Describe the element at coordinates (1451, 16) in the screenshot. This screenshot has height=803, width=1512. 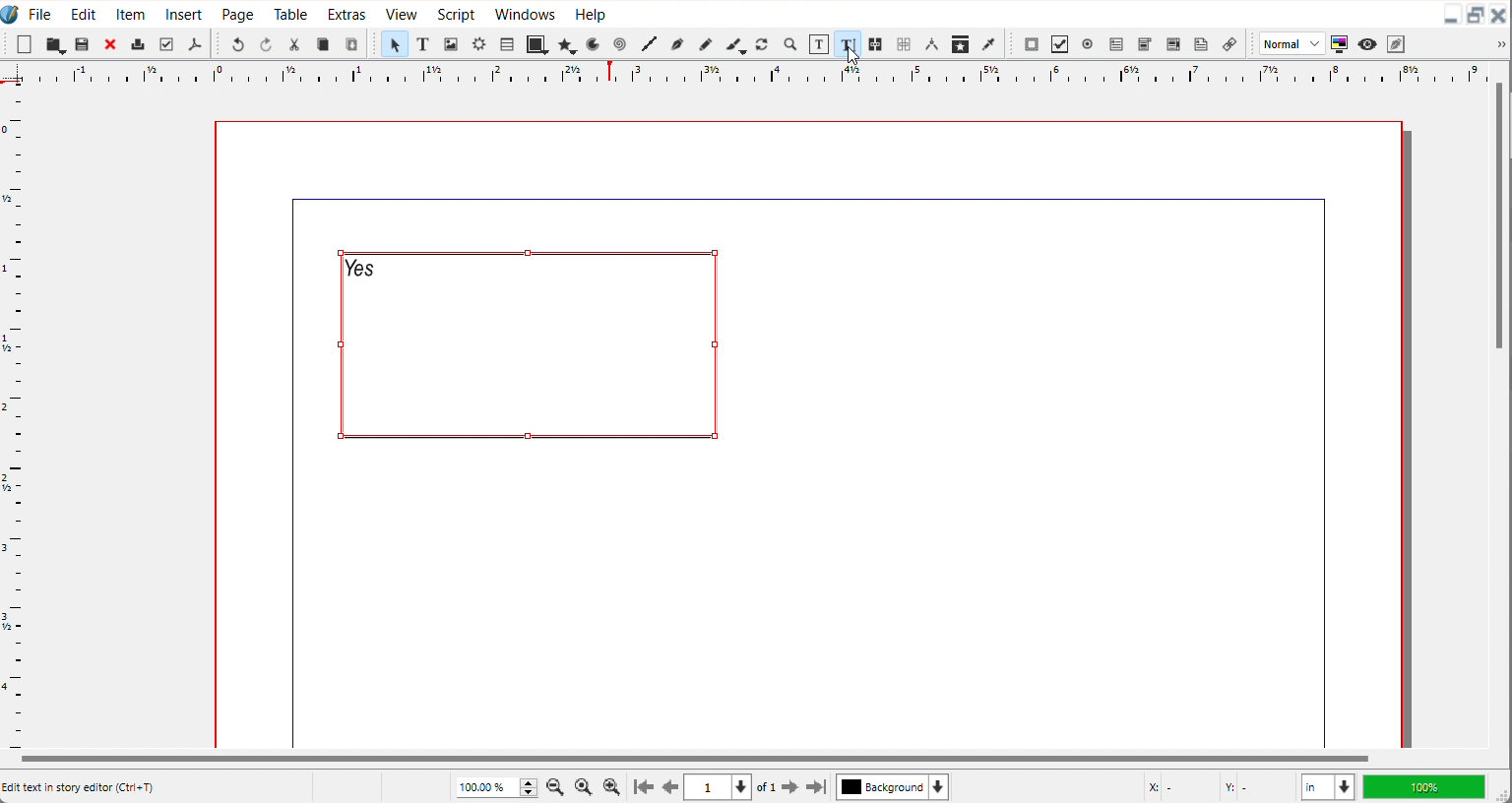
I see `Minimize` at that location.